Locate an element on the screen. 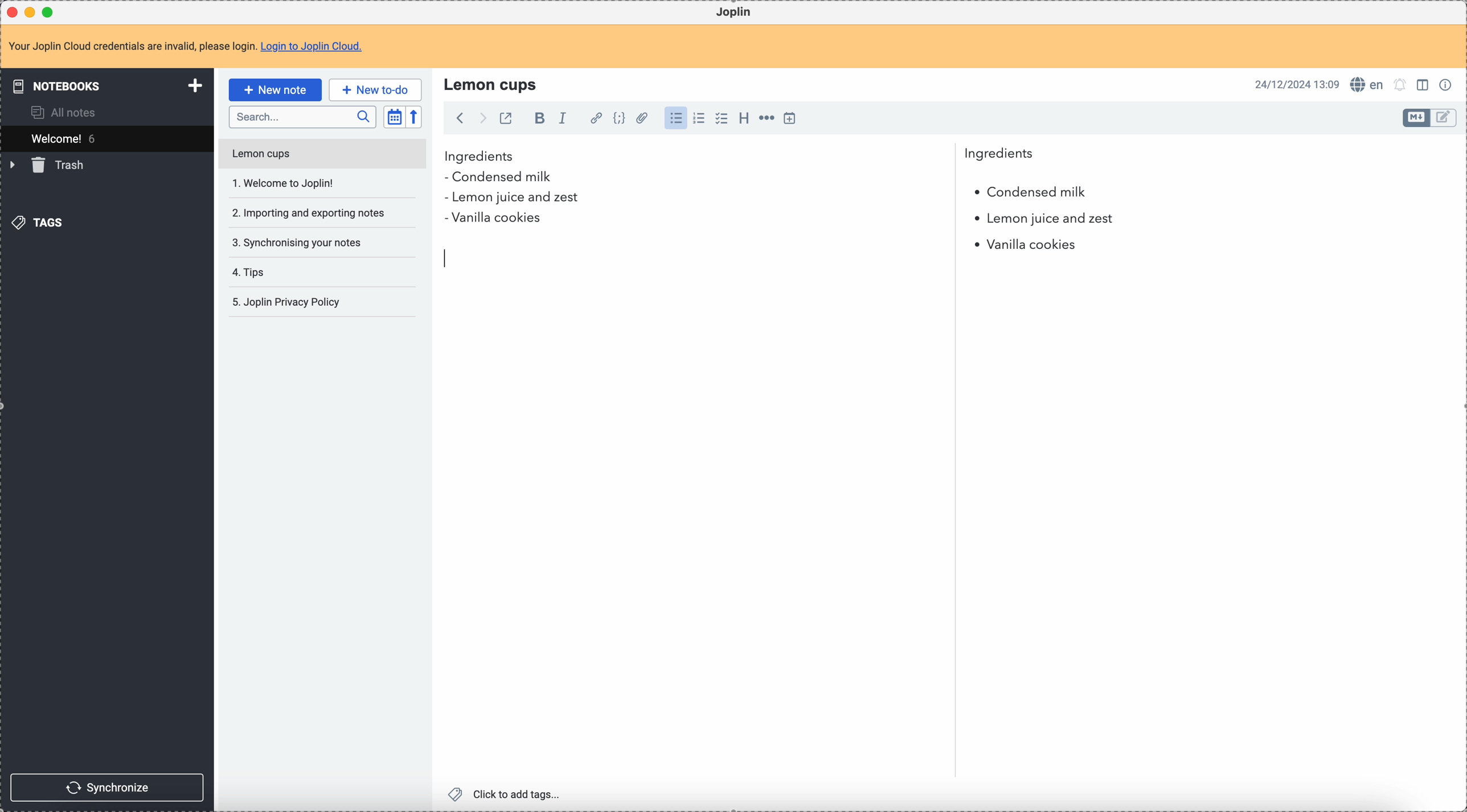 The image size is (1467, 812). toggle edit layout is located at coordinates (1444, 118).